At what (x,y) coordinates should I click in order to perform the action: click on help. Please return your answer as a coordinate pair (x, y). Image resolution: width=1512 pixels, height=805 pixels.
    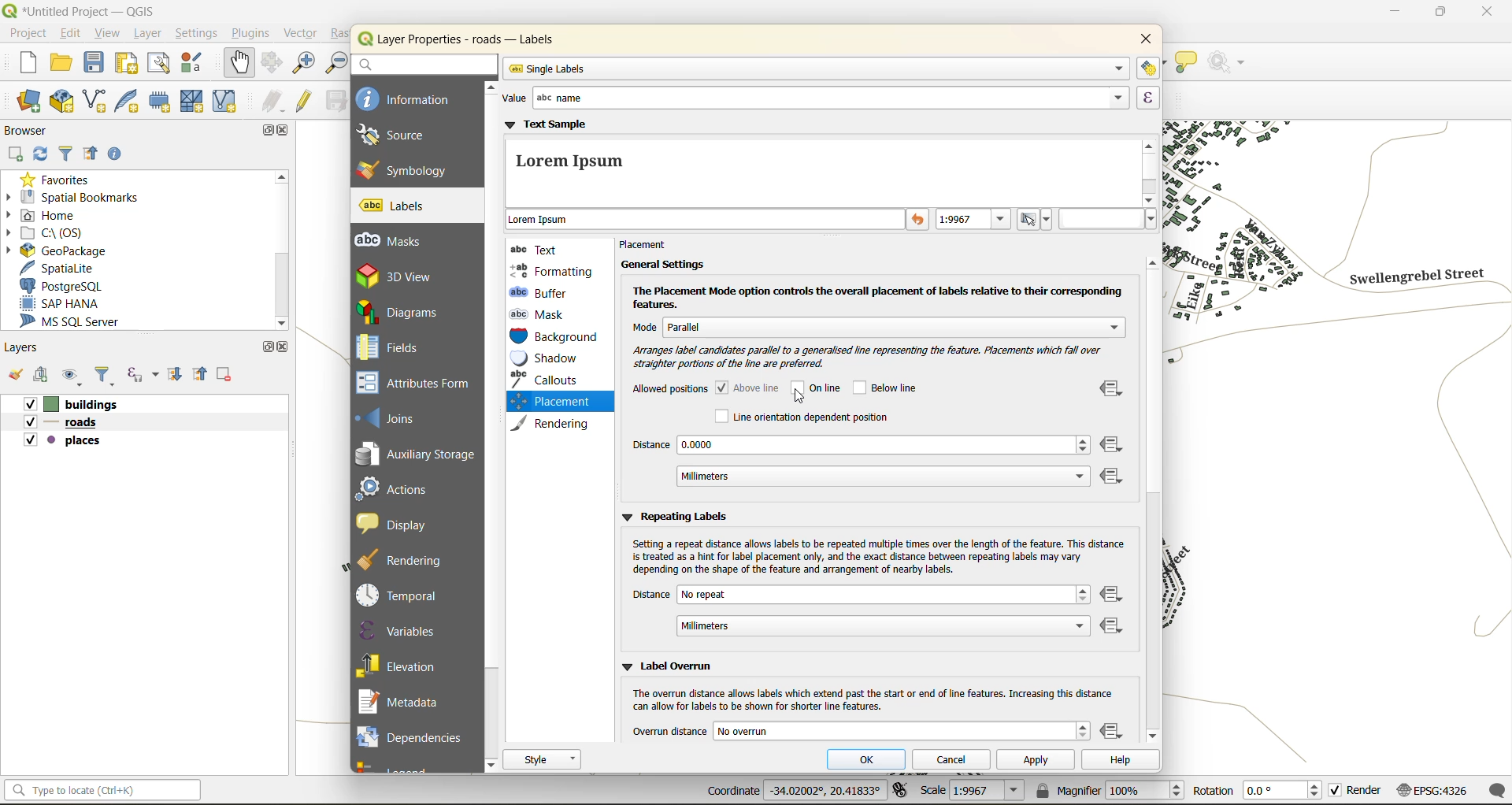
    Looking at the image, I should click on (1119, 762).